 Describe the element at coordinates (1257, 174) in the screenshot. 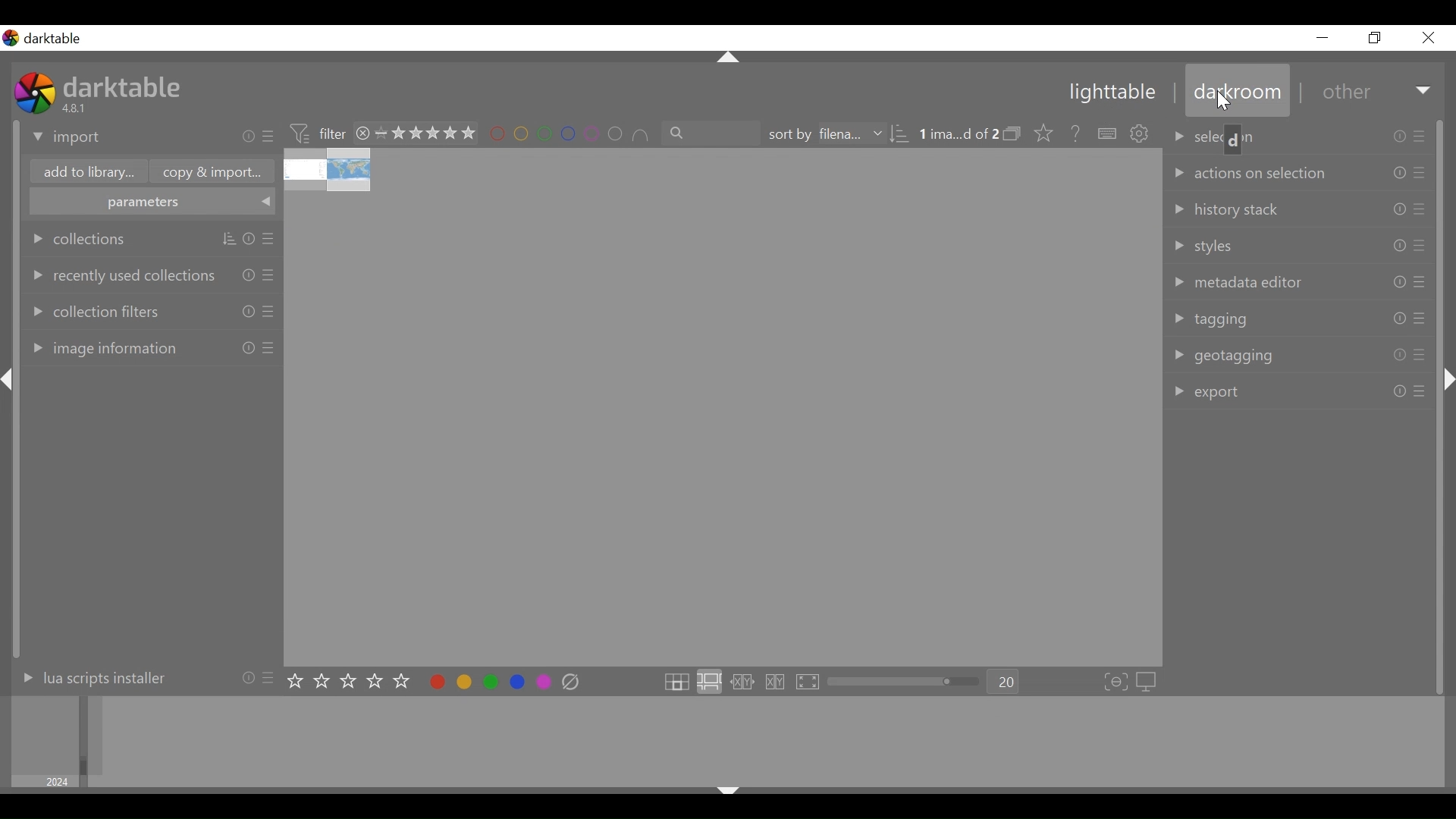

I see `action on selection` at that location.